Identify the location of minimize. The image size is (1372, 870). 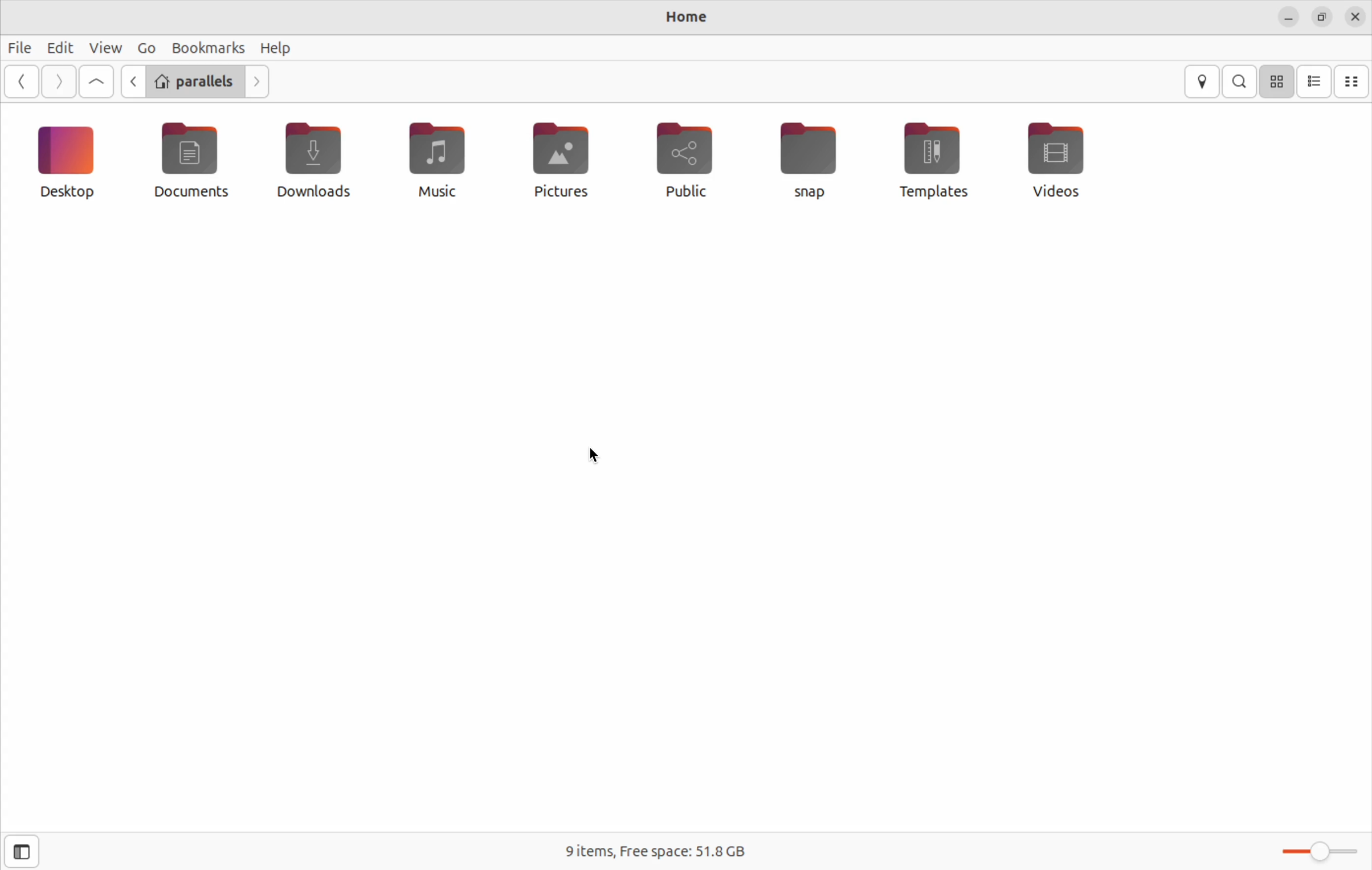
(1284, 16).